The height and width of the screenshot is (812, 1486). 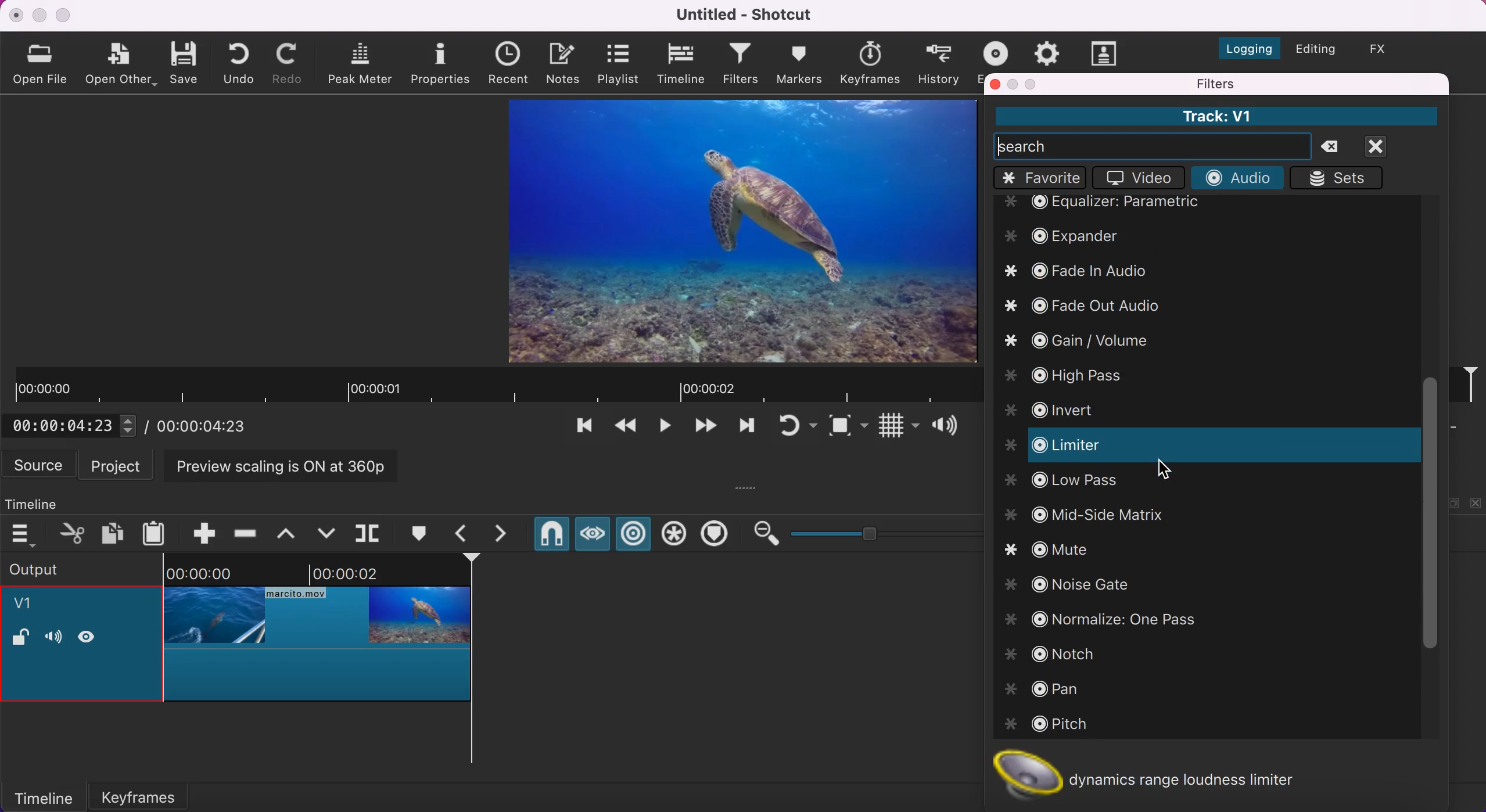 What do you see at coordinates (634, 535) in the screenshot?
I see `ripple` at bounding box center [634, 535].